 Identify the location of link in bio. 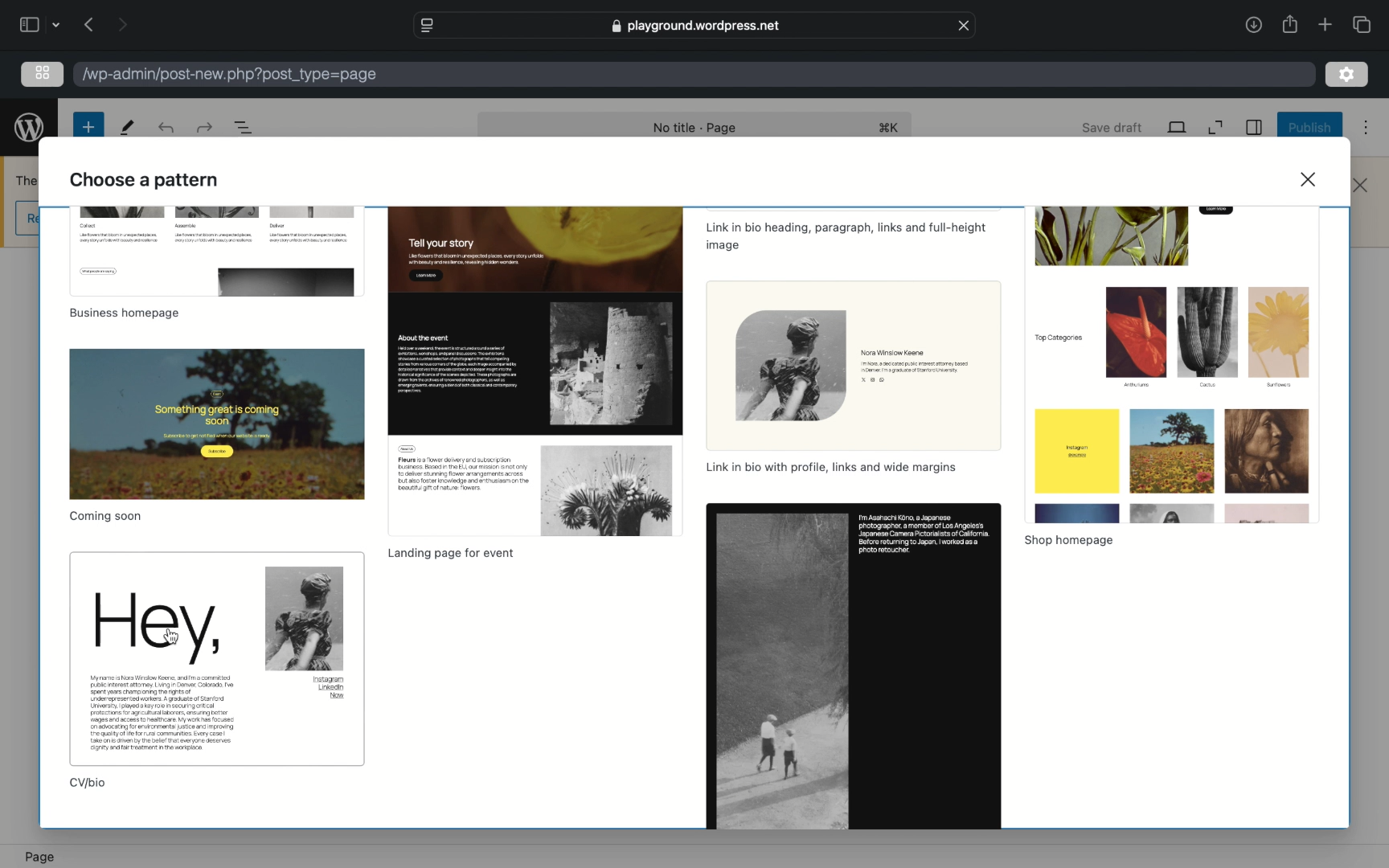
(834, 468).